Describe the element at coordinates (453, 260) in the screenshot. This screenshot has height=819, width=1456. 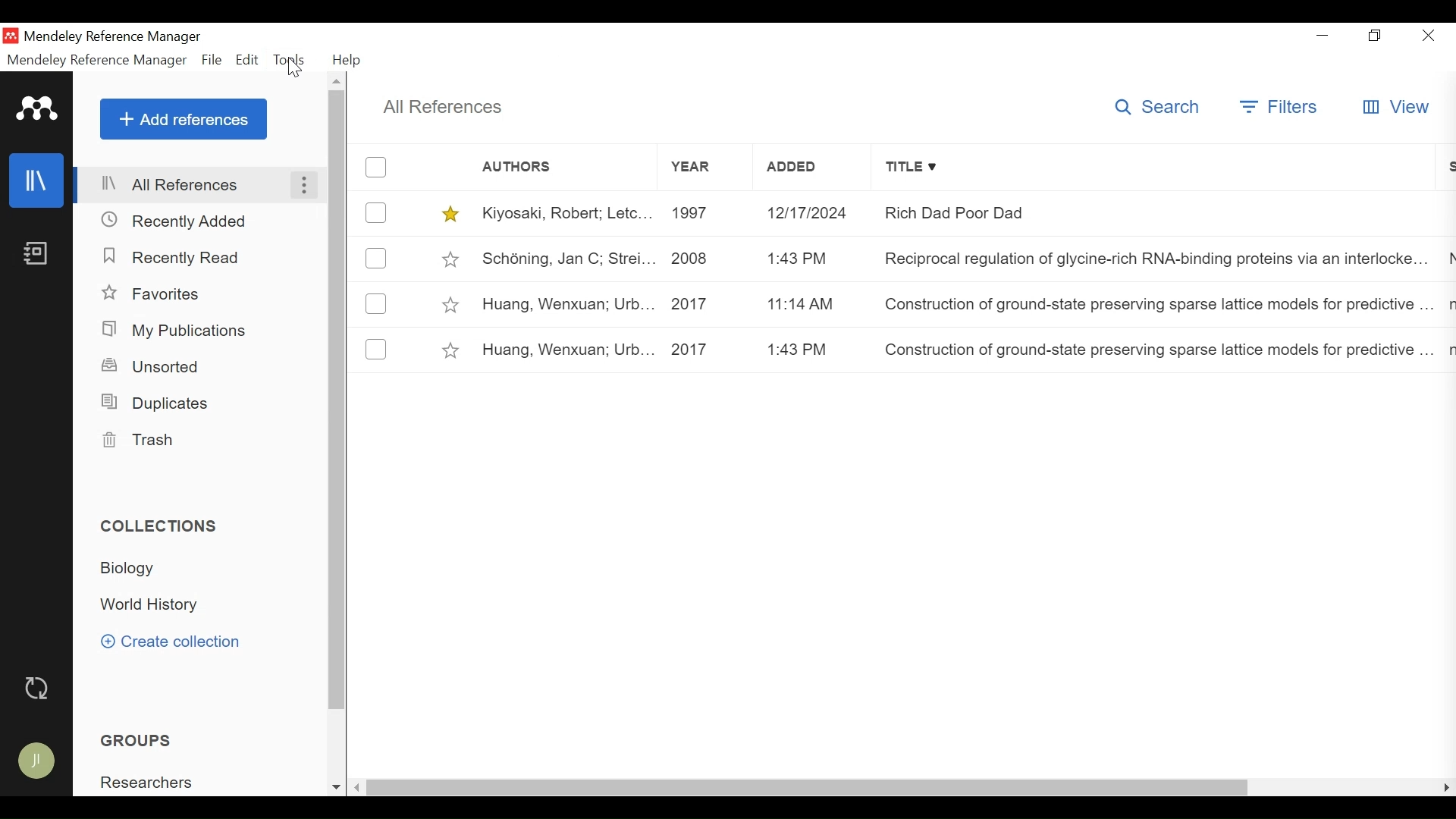
I see `Toggle Favorites` at that location.